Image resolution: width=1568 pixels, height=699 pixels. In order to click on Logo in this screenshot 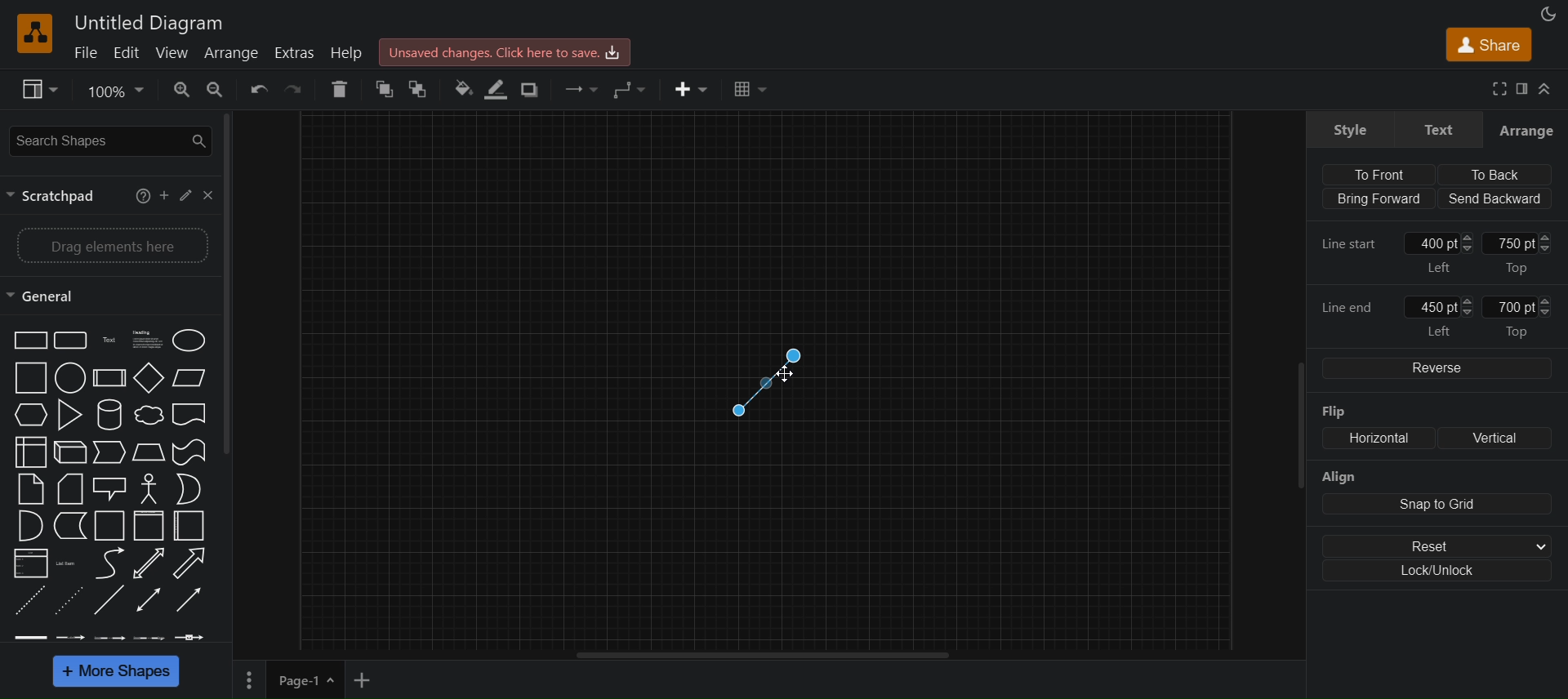, I will do `click(38, 32)`.